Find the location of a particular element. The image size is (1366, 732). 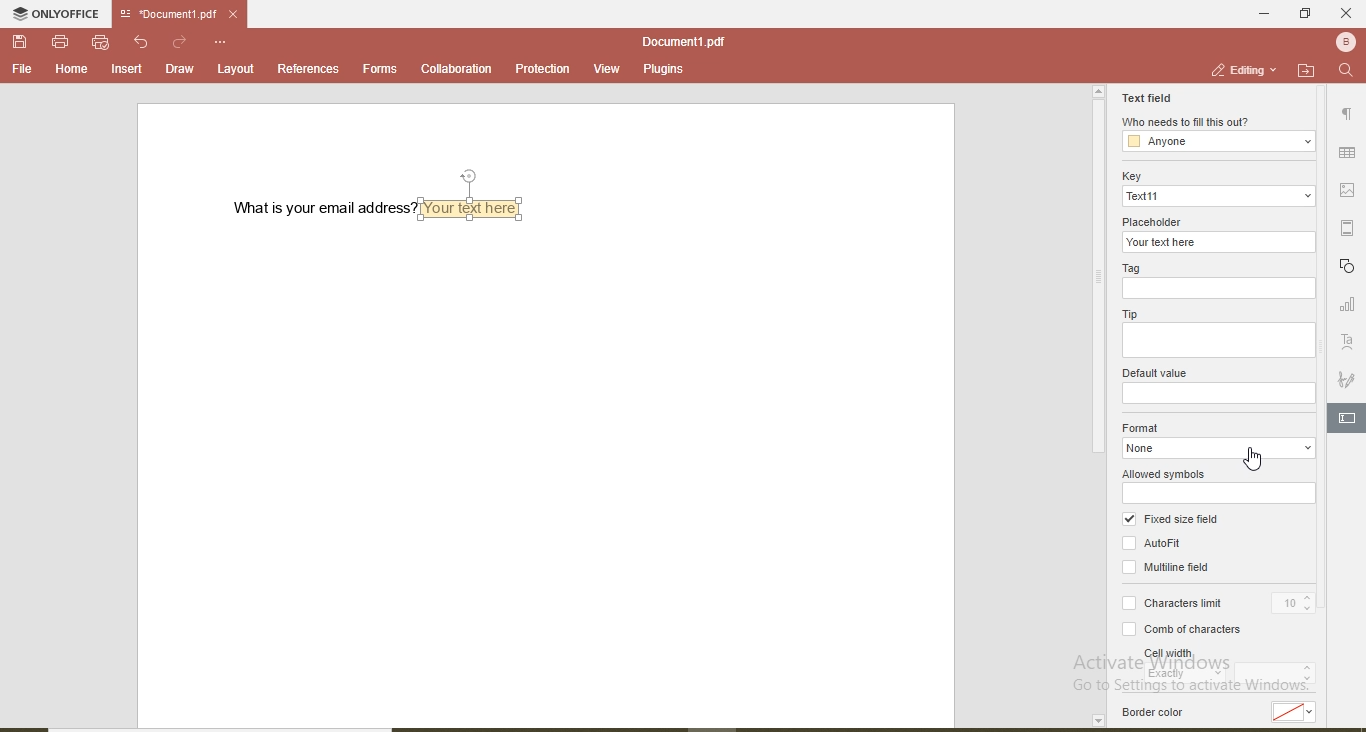

find is located at coordinates (1346, 71).